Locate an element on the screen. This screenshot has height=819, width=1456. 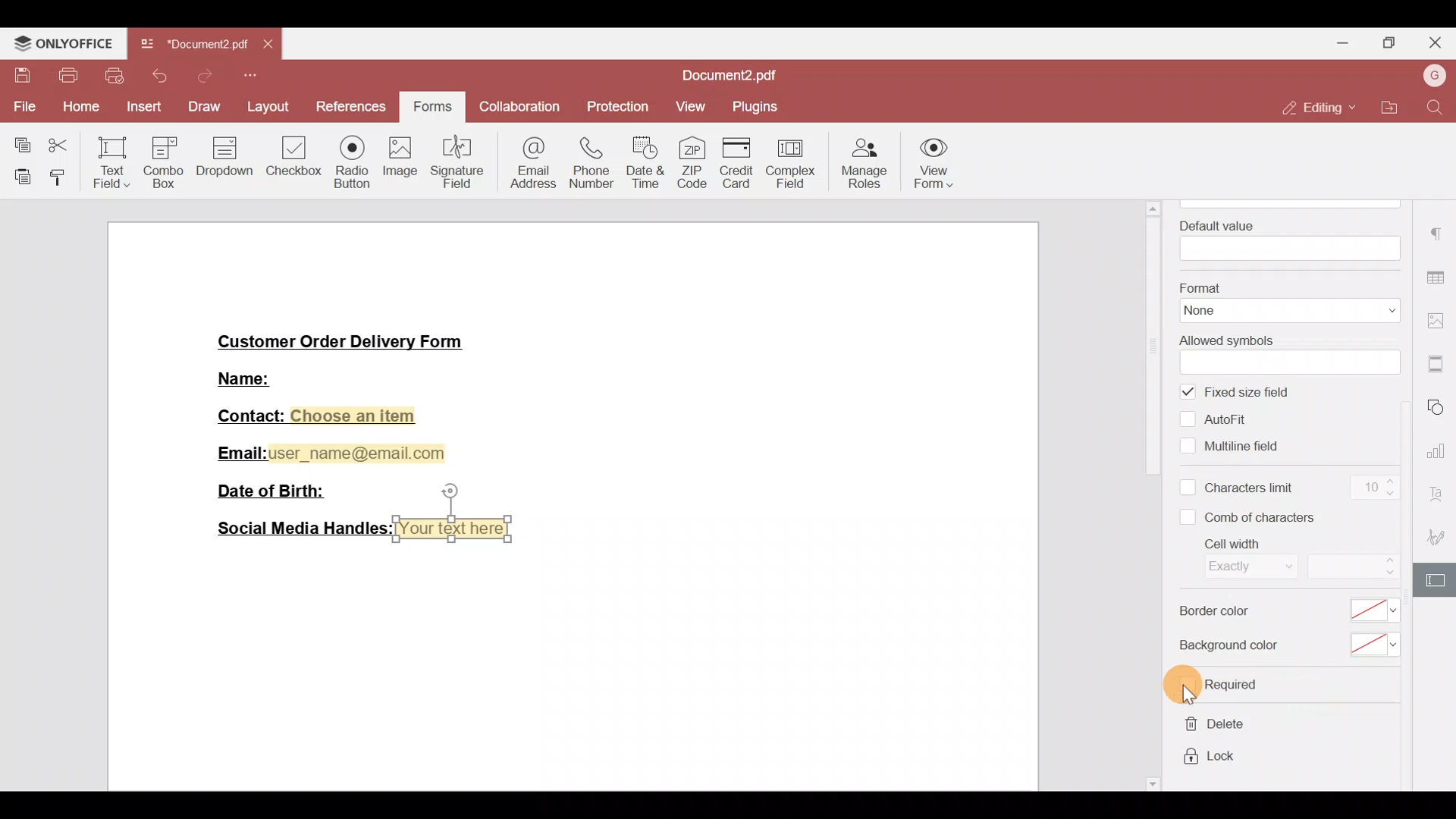
Redo is located at coordinates (202, 76).